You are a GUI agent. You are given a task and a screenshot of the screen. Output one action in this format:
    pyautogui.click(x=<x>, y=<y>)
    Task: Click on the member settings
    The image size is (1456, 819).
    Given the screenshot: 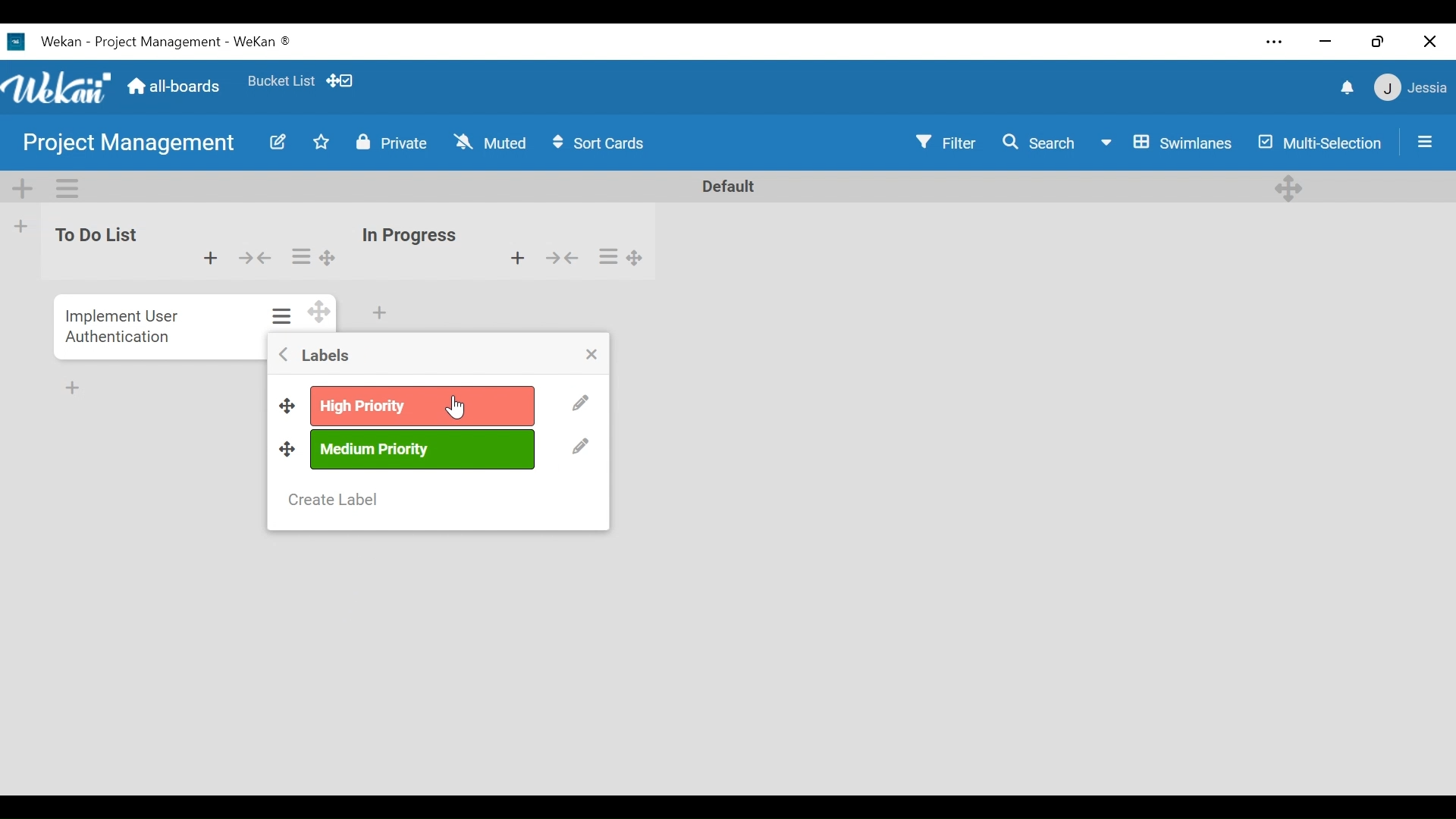 What is the action you would take?
    pyautogui.click(x=1410, y=89)
    